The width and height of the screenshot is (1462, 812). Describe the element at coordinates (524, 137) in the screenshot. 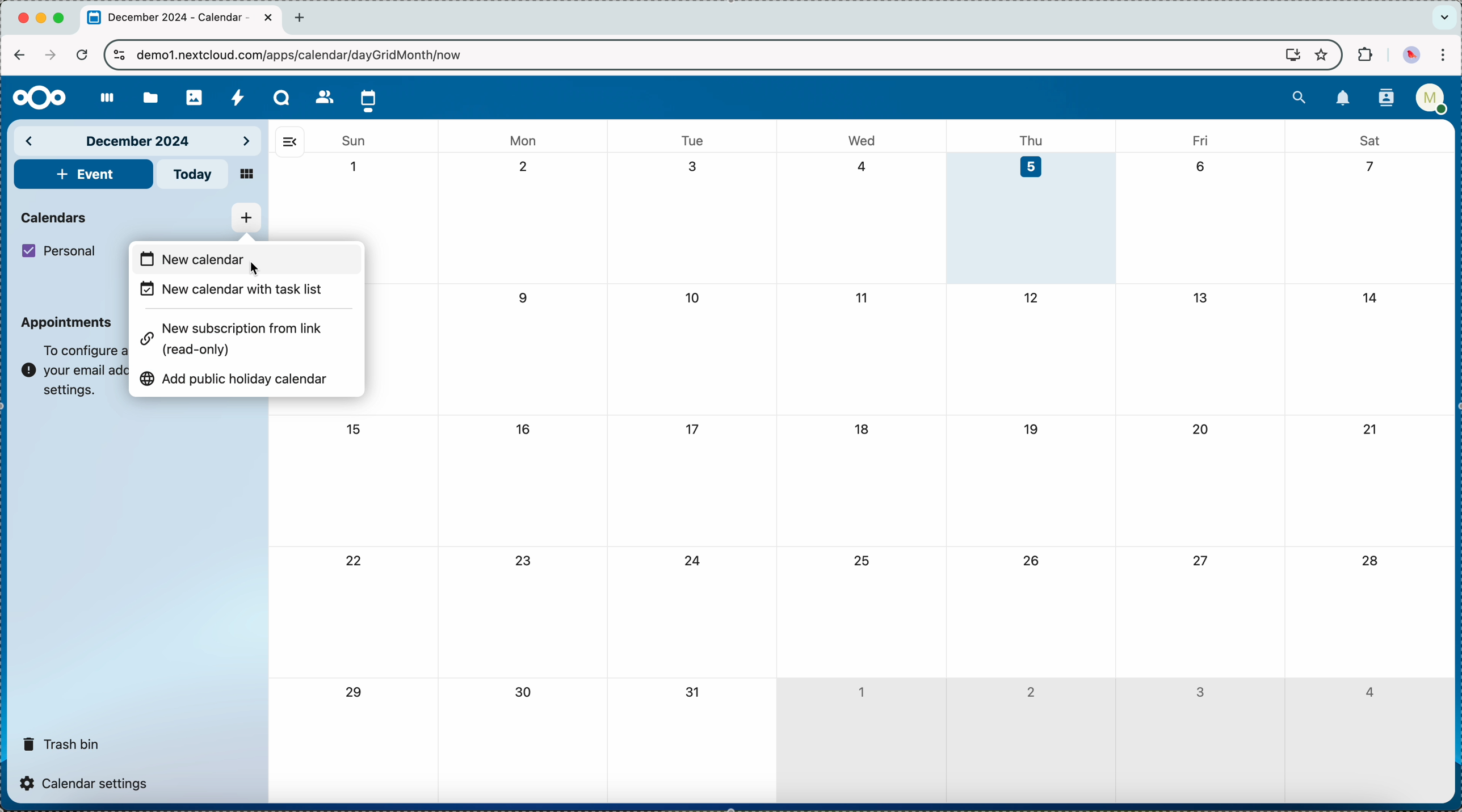

I see `mon` at that location.